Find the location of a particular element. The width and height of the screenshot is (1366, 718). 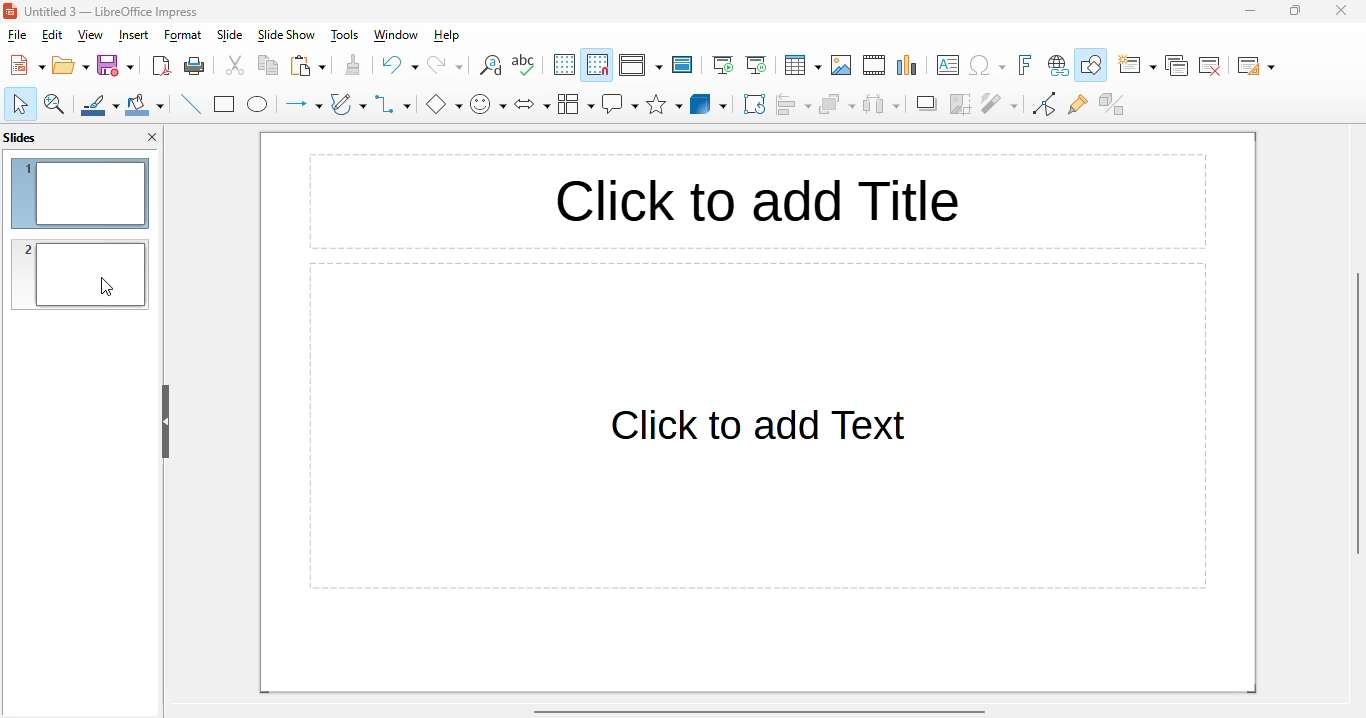

insert chart is located at coordinates (907, 65).